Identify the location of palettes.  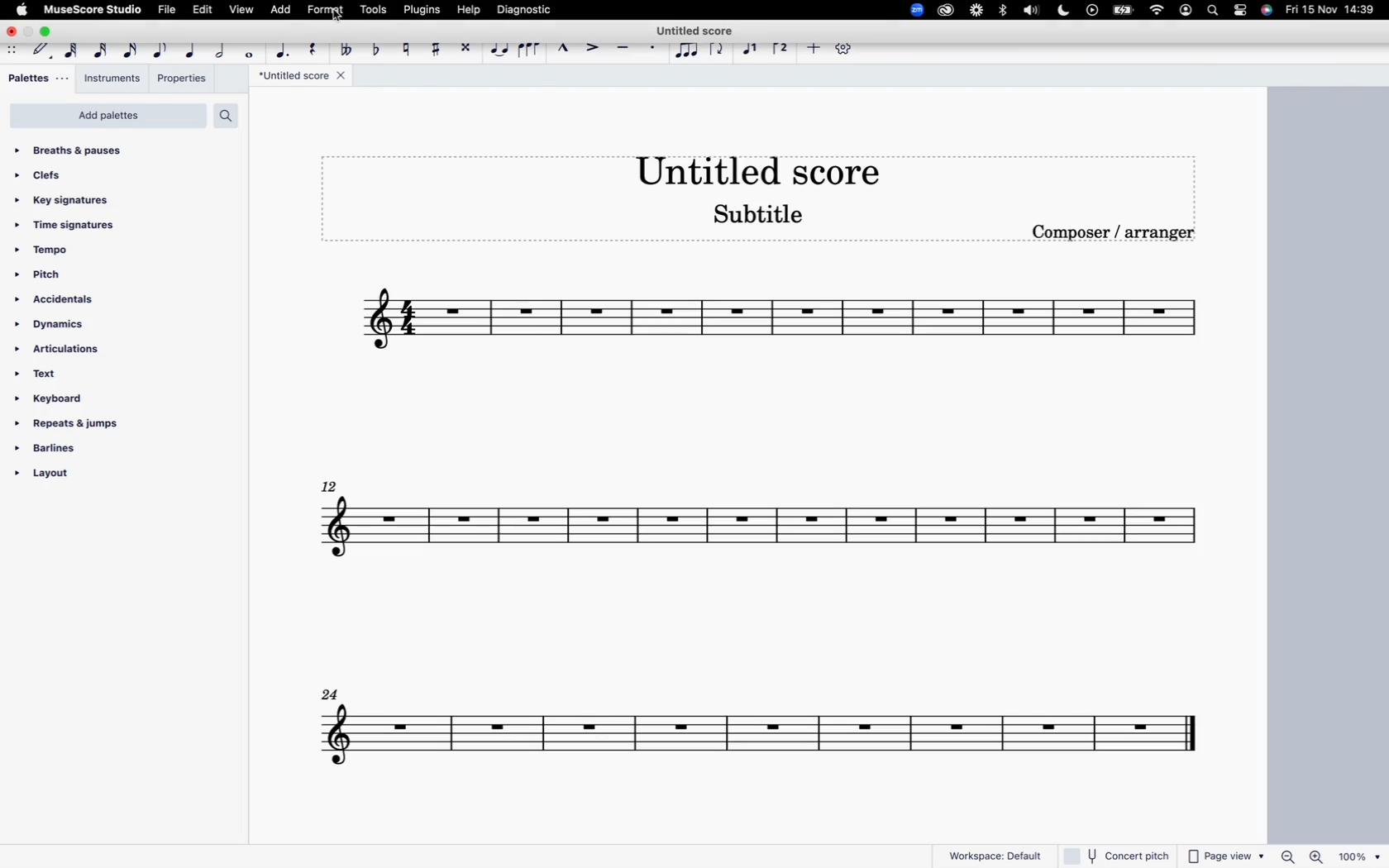
(39, 78).